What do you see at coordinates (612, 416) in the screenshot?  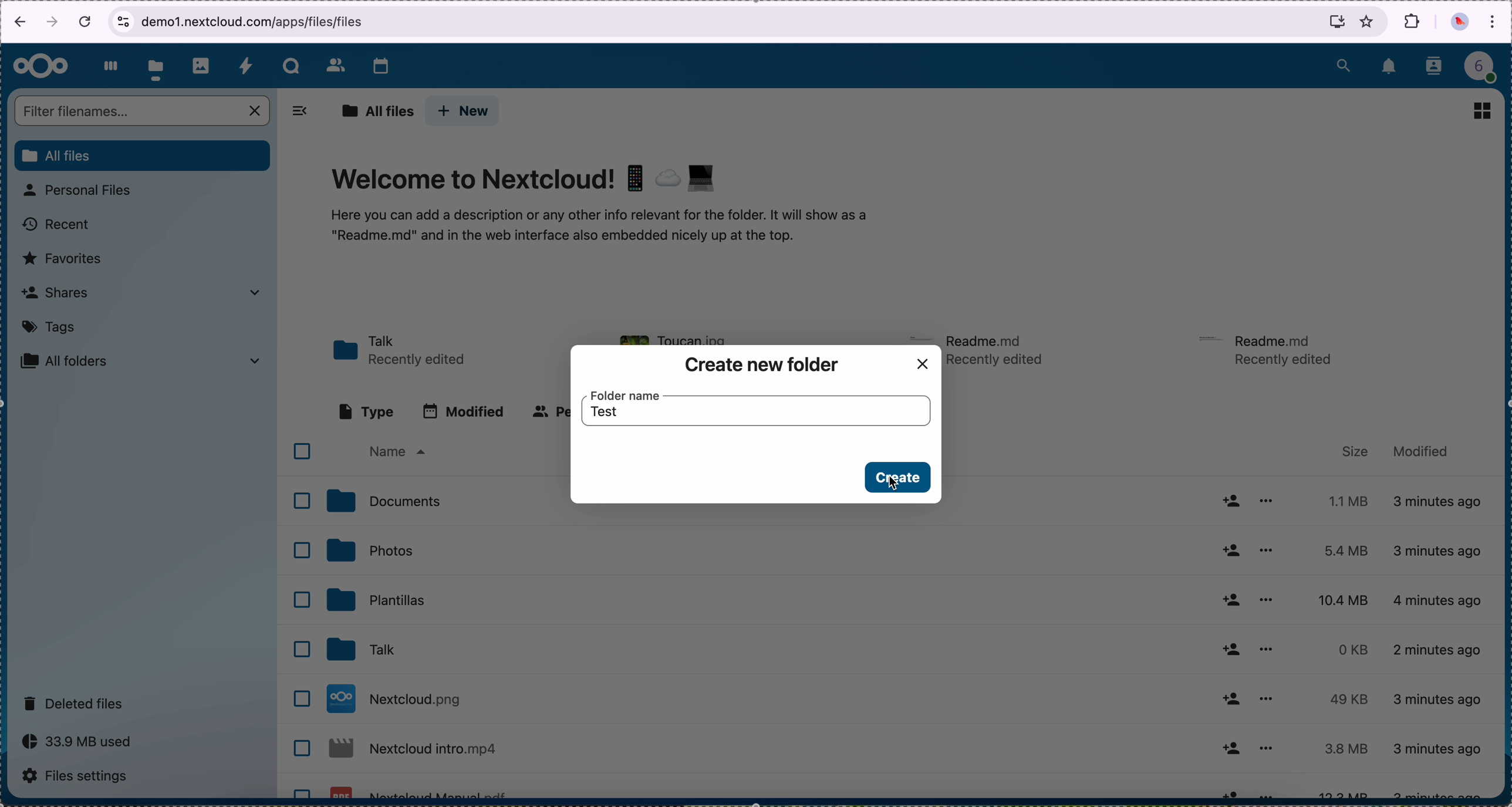 I see `Test` at bounding box center [612, 416].